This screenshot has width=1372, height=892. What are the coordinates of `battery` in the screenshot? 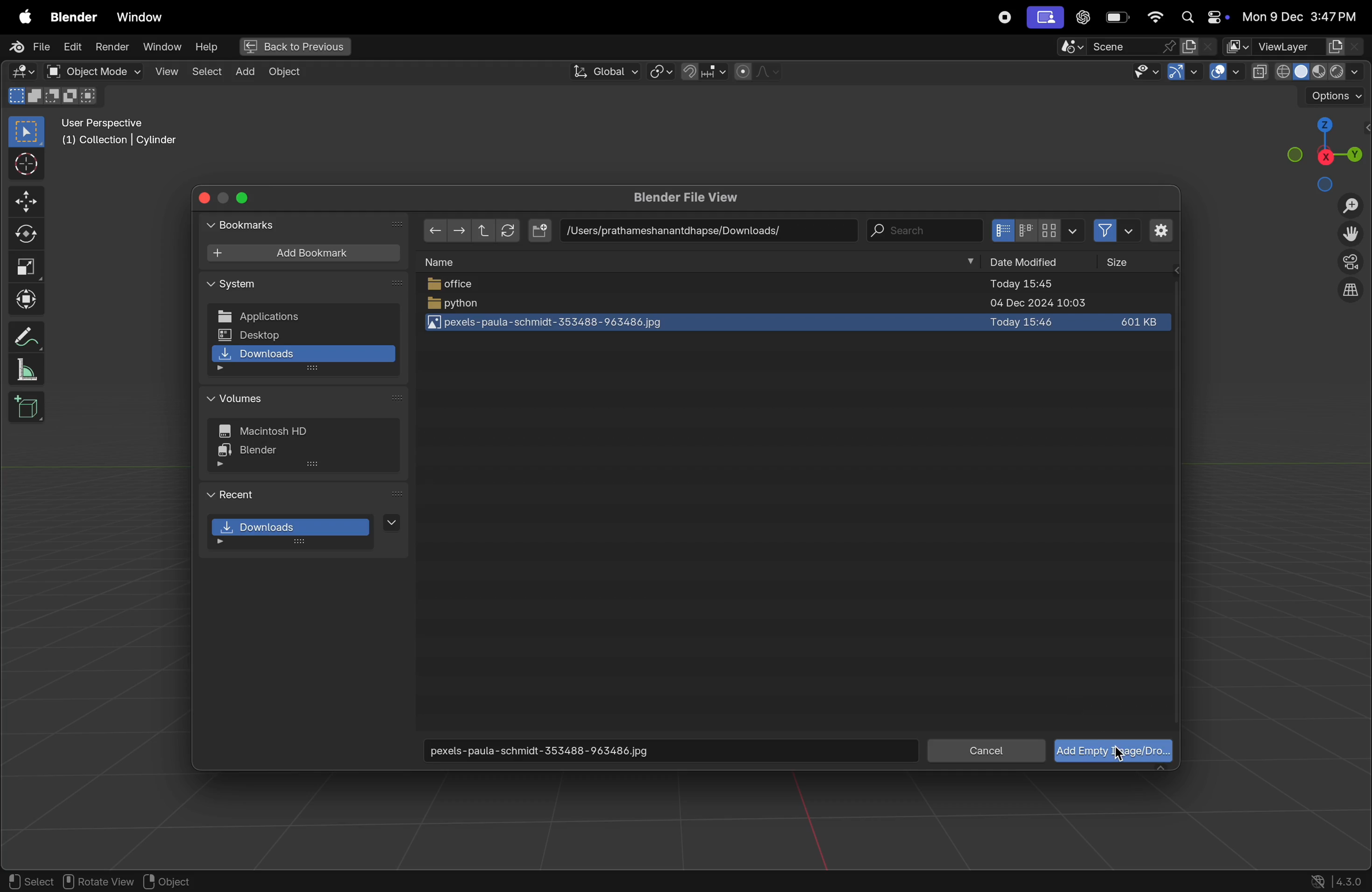 It's located at (1118, 17).